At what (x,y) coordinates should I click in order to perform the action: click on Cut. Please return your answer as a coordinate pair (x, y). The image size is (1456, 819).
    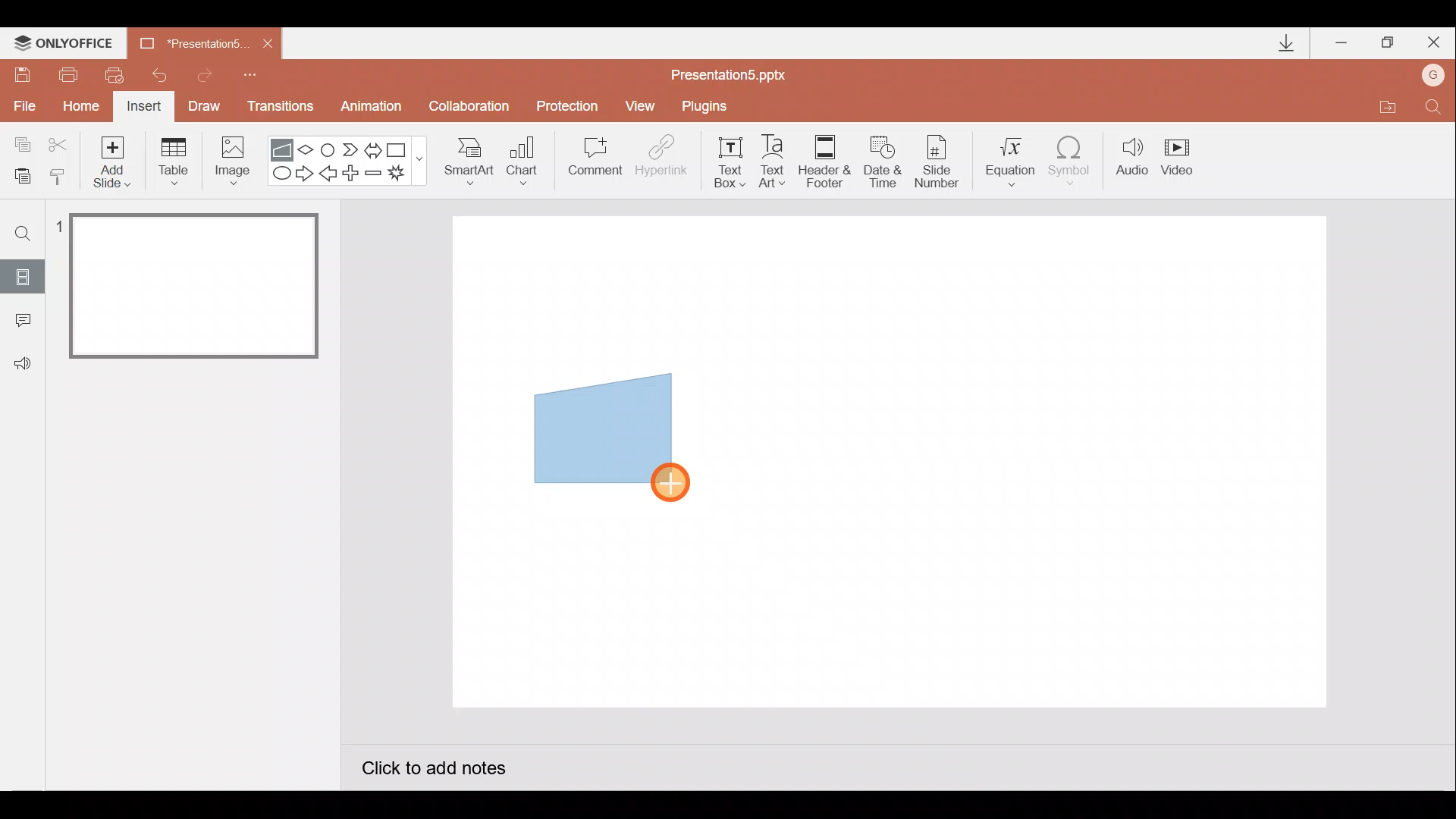
    Looking at the image, I should click on (61, 142).